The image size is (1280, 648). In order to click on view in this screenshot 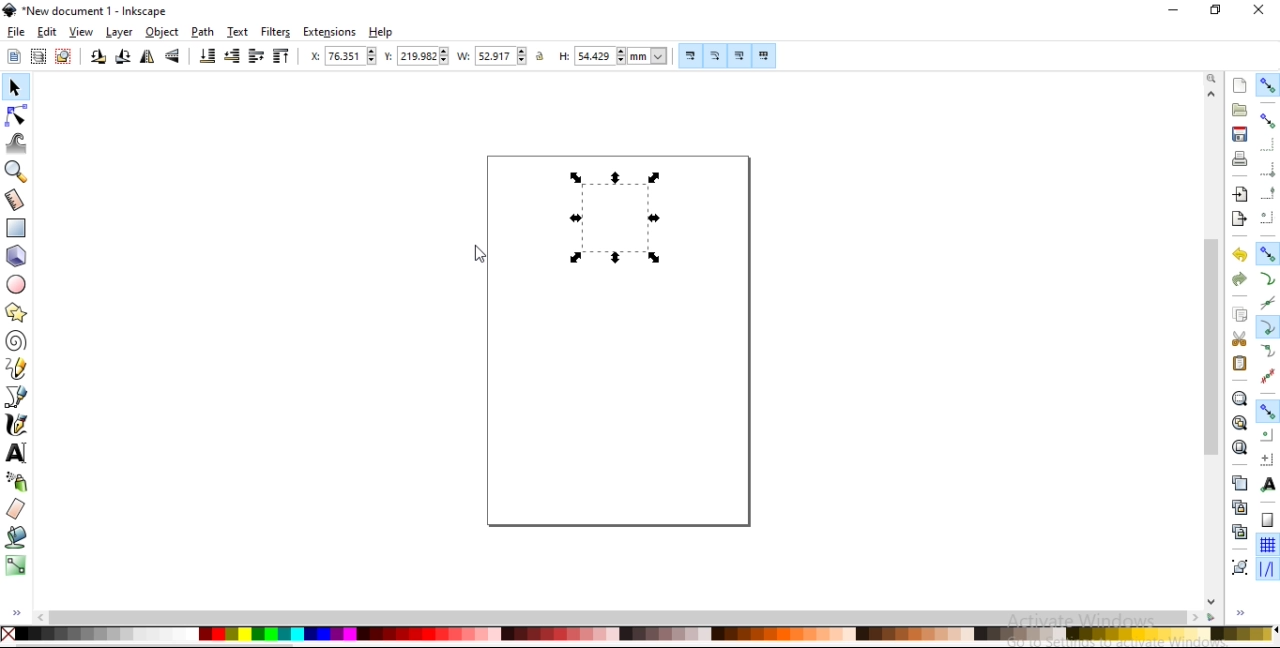, I will do `click(80, 32)`.